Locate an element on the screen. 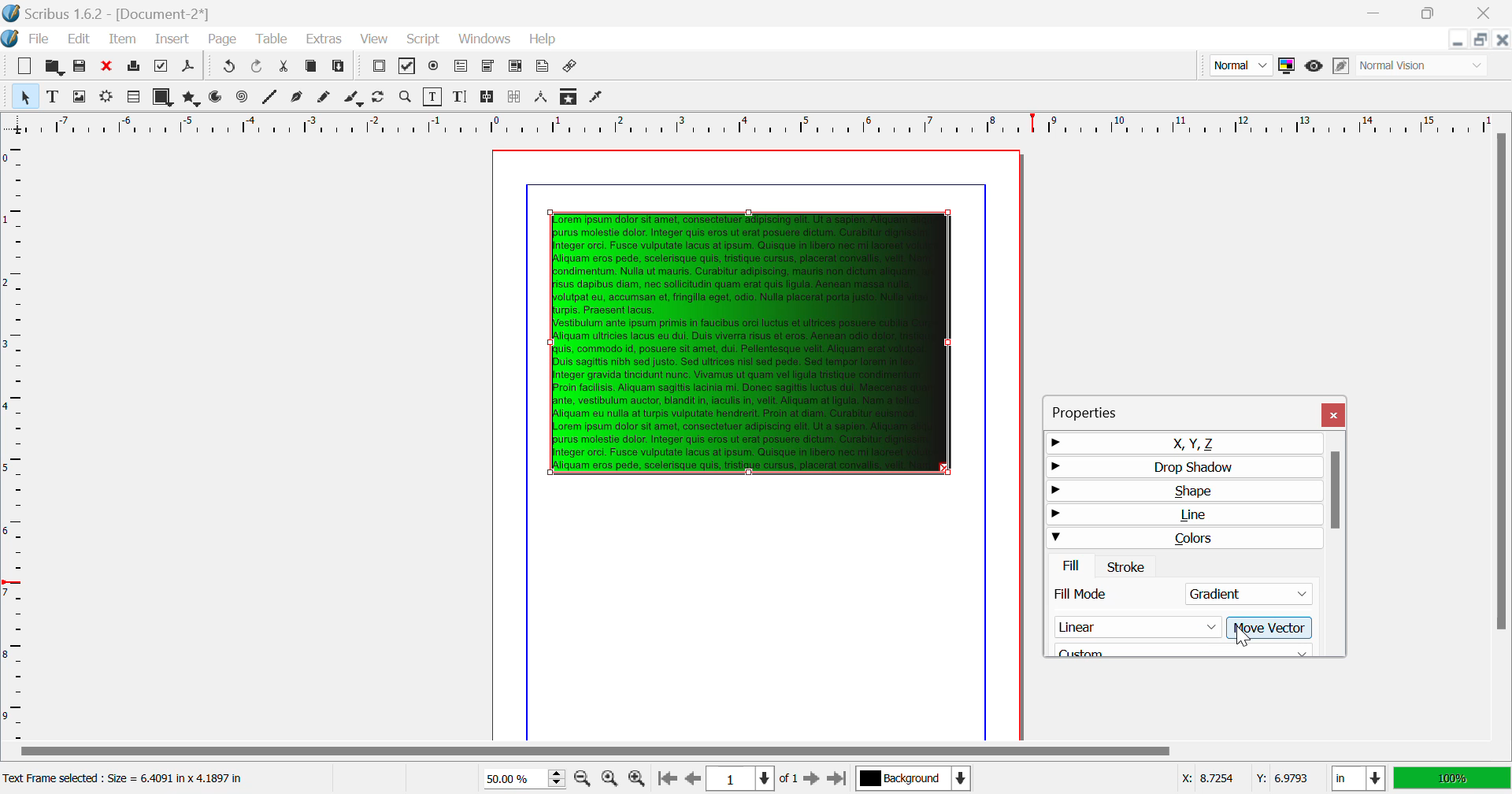 Image resolution: width=1512 pixels, height=794 pixels. Edit in Preview Mode is located at coordinates (1343, 66).